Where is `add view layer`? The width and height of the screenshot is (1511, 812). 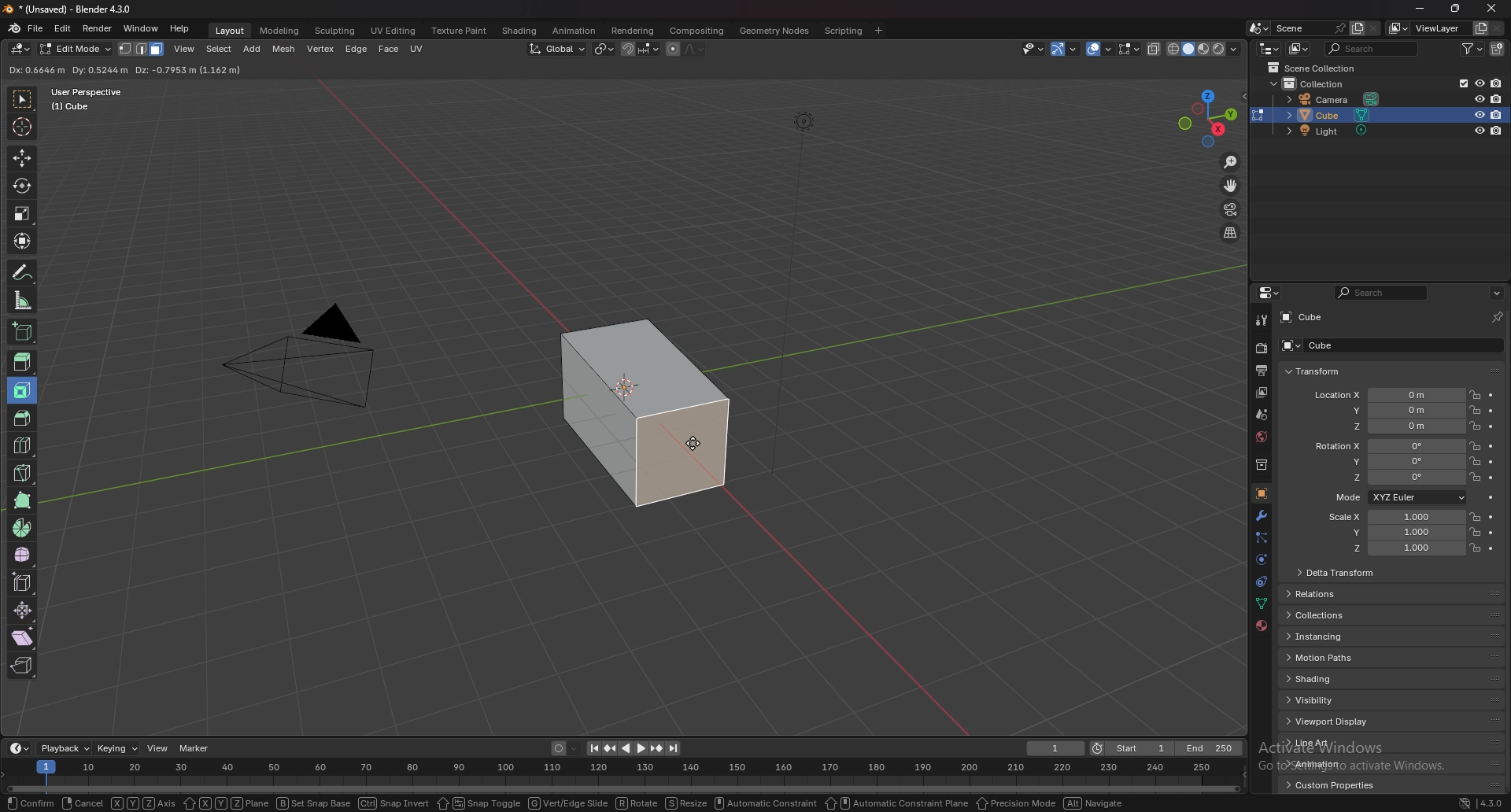 add view layer is located at coordinates (1480, 28).